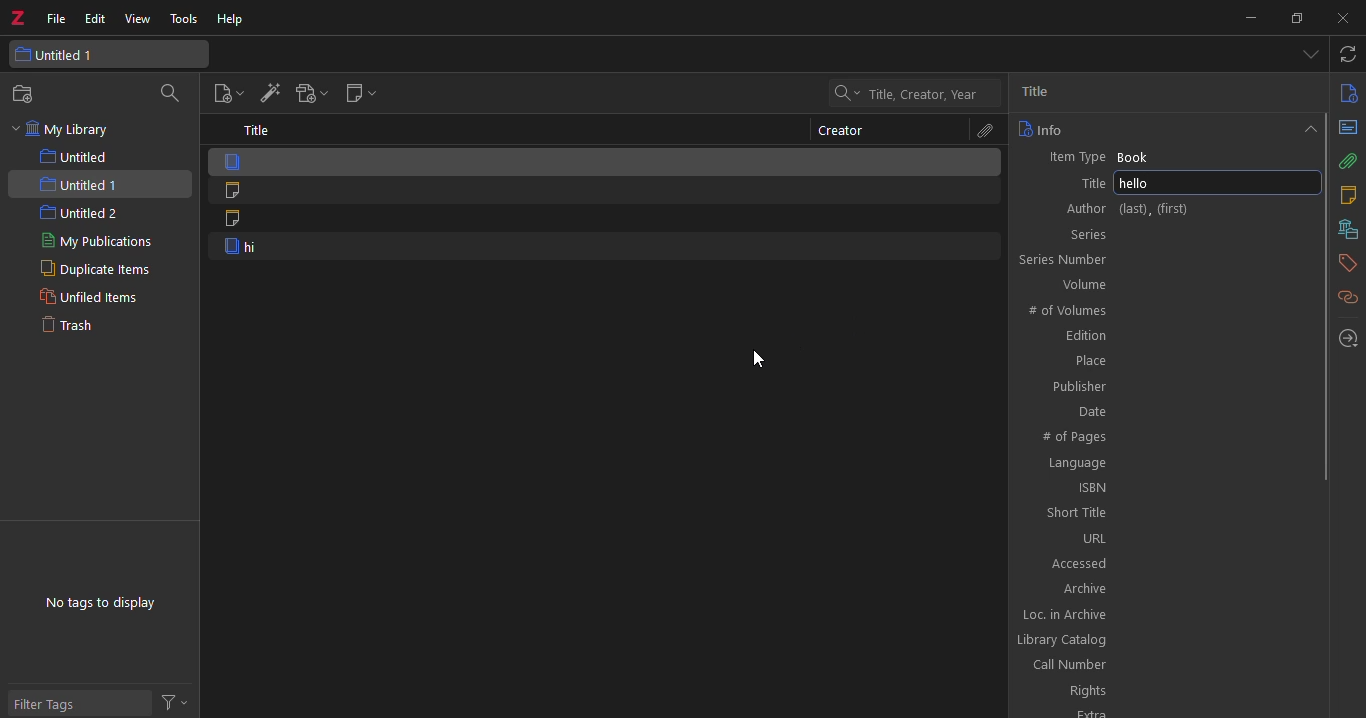 The width and height of the screenshot is (1366, 718). Describe the element at coordinates (258, 130) in the screenshot. I see `title` at that location.